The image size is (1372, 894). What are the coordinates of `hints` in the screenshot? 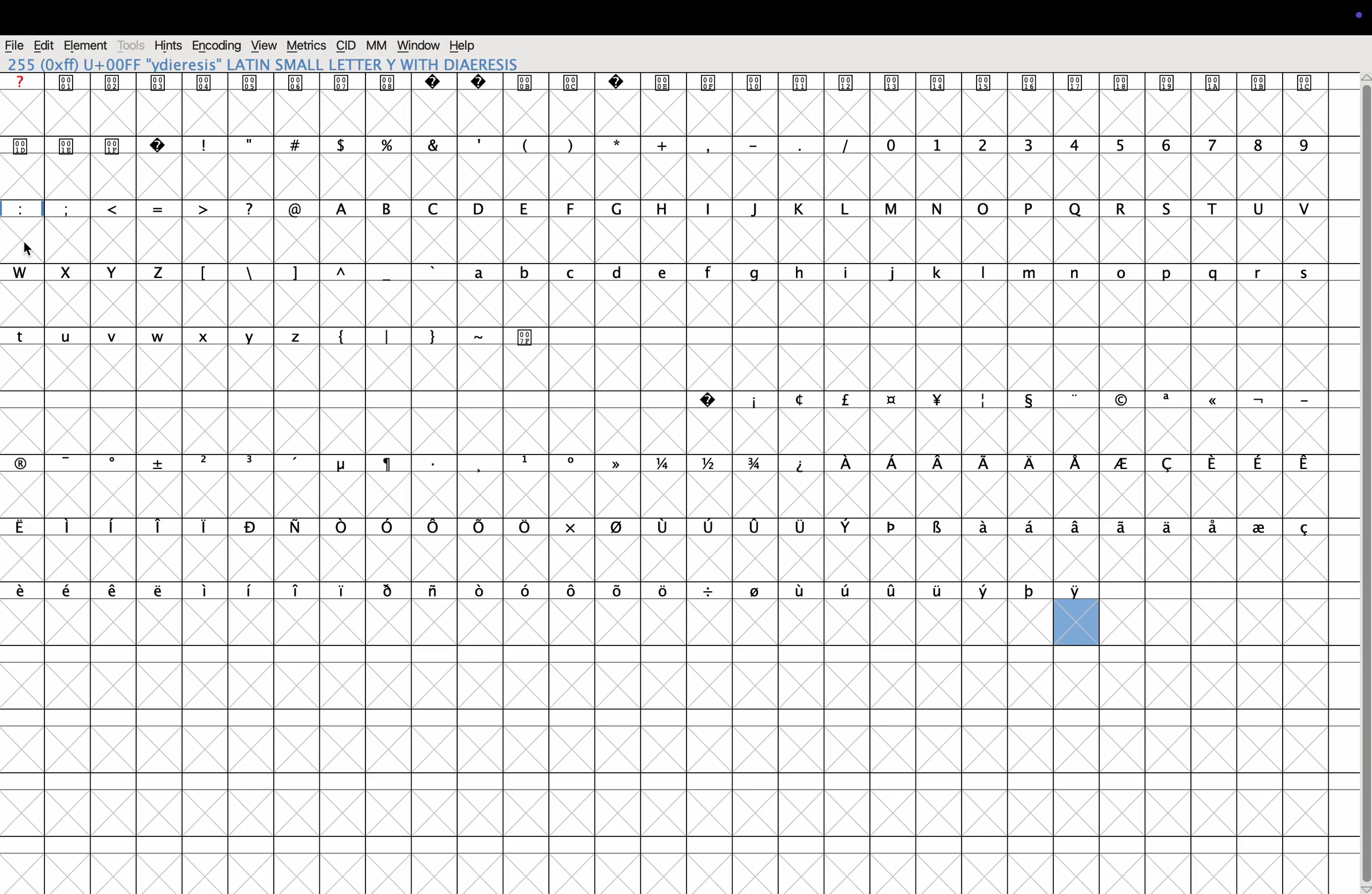 It's located at (168, 47).